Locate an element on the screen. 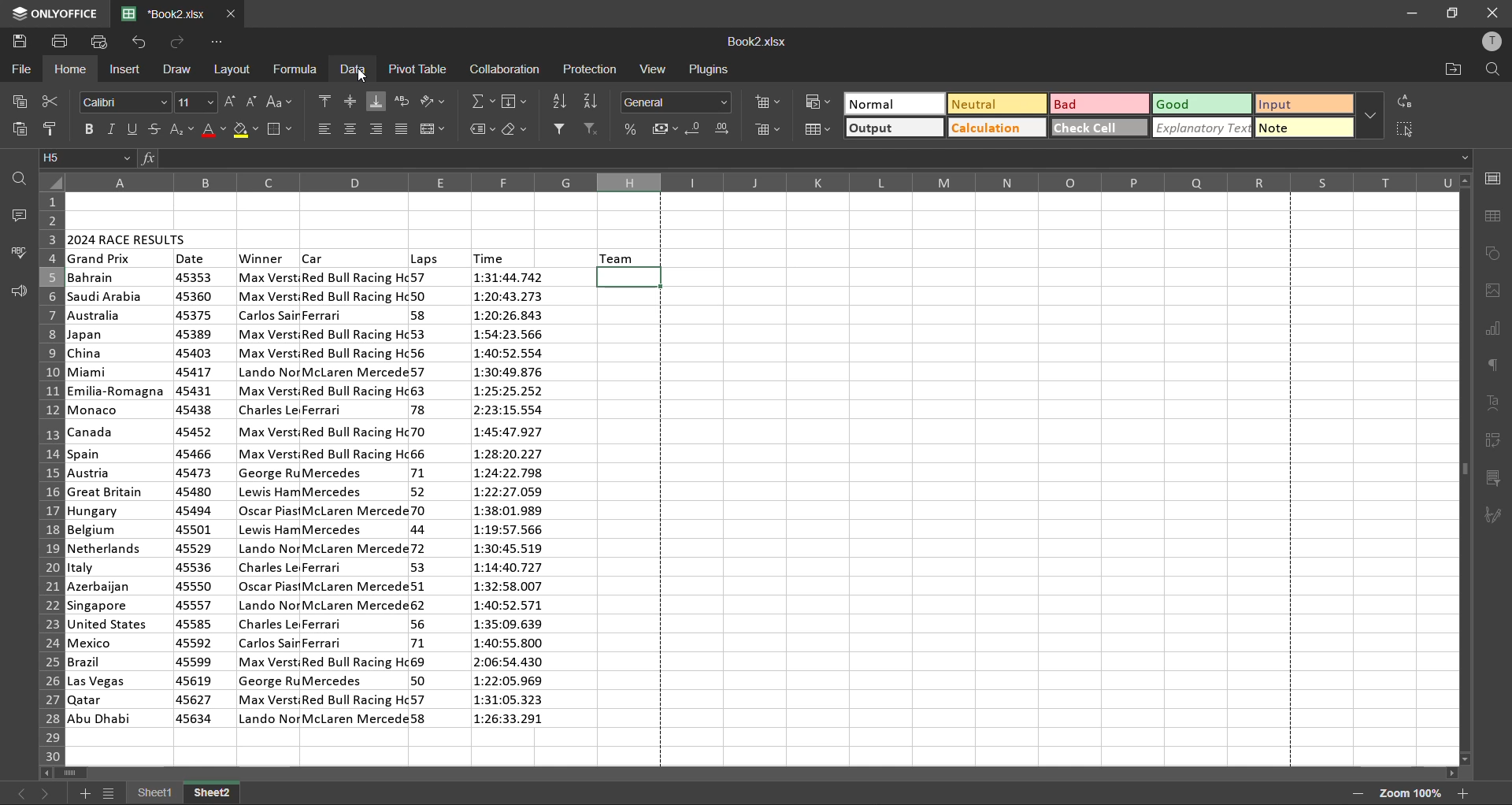 This screenshot has width=1512, height=805. pivot table is located at coordinates (1494, 441).